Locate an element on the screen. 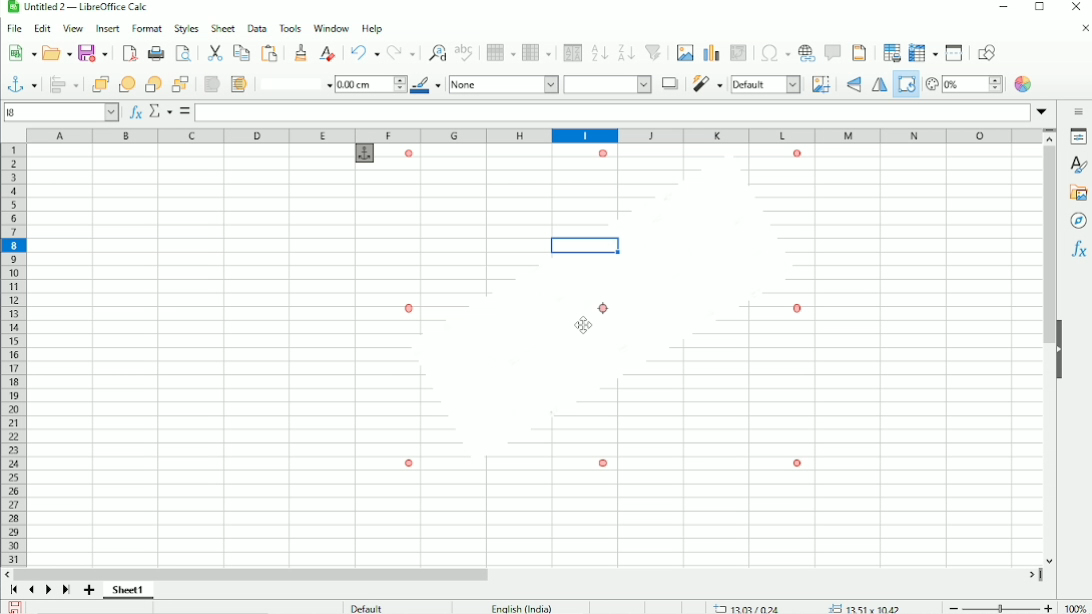 The image size is (1092, 614). Rotate is located at coordinates (905, 88).